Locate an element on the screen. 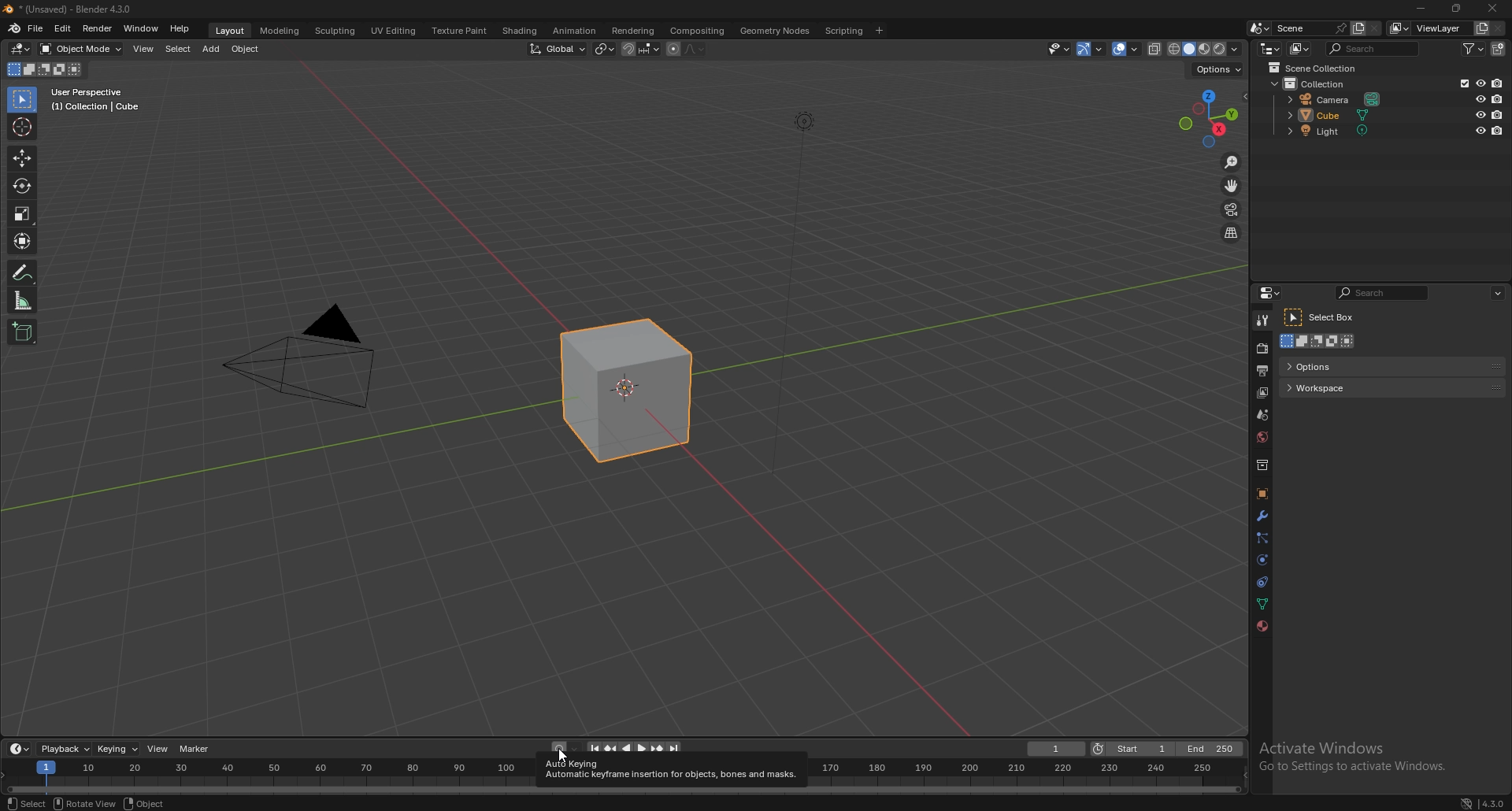  layout is located at coordinates (233, 32).